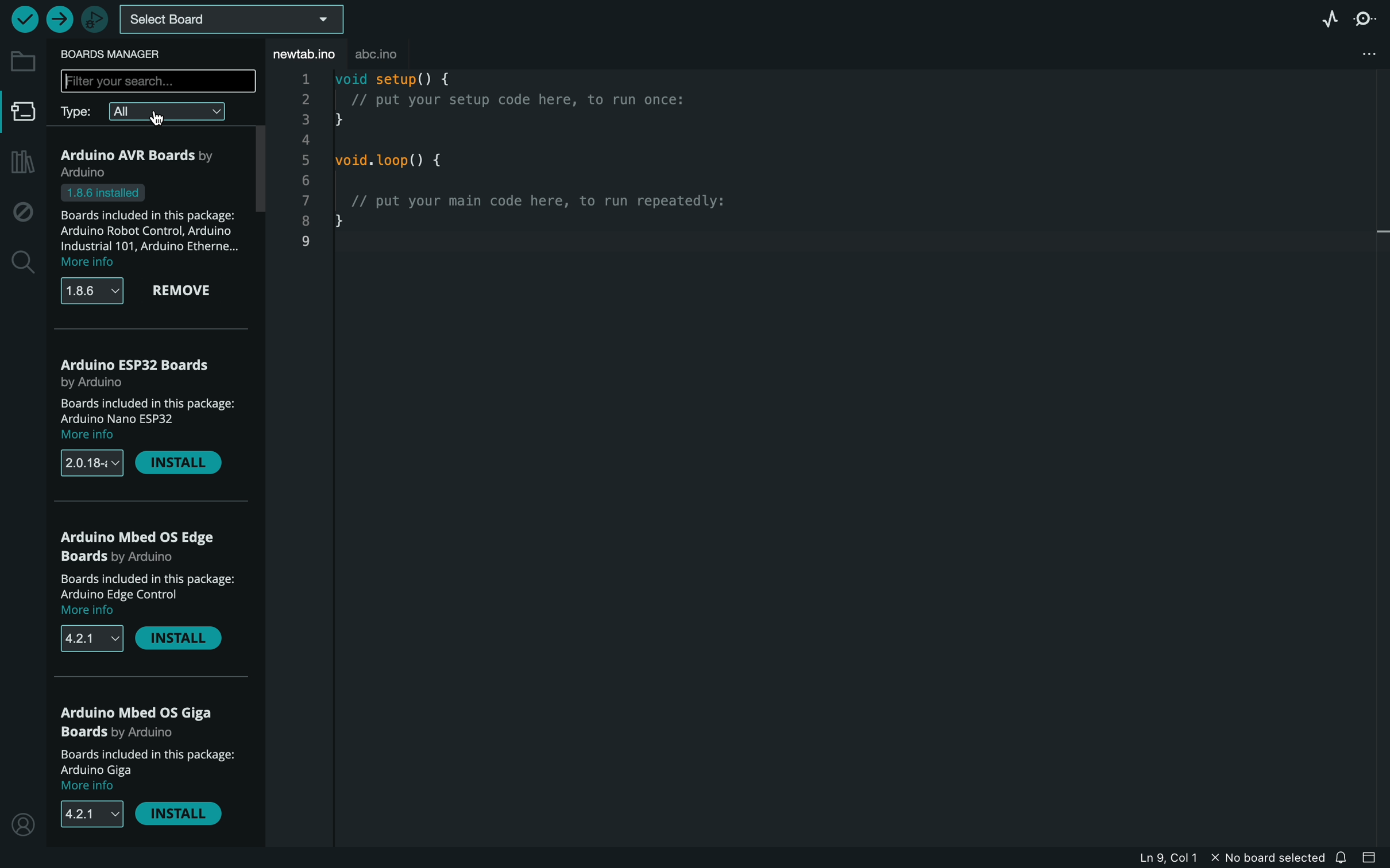  What do you see at coordinates (181, 641) in the screenshot?
I see `install` at bounding box center [181, 641].